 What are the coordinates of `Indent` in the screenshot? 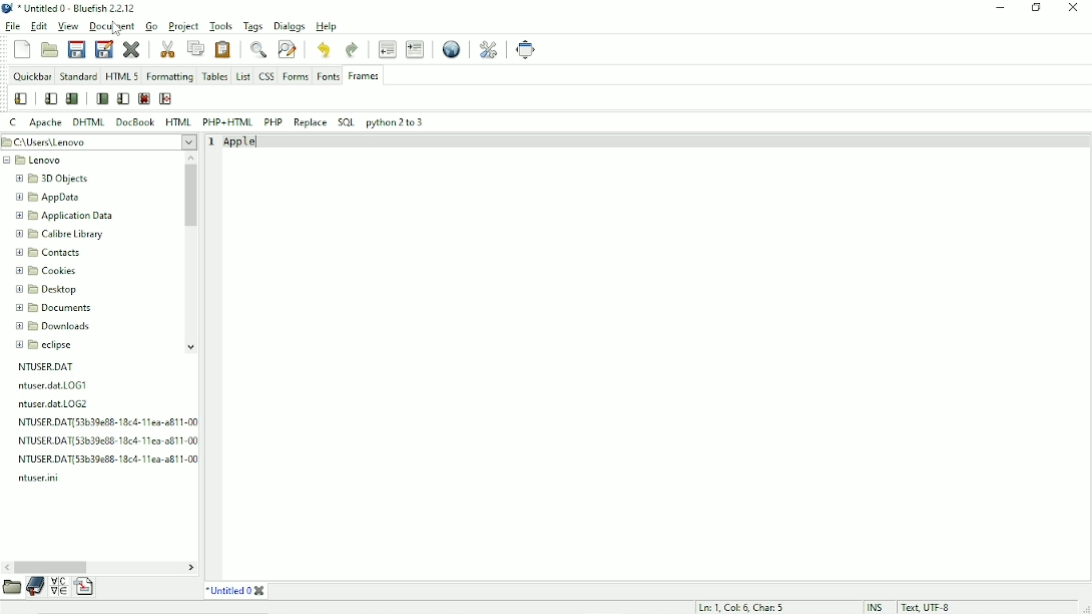 It's located at (416, 50).